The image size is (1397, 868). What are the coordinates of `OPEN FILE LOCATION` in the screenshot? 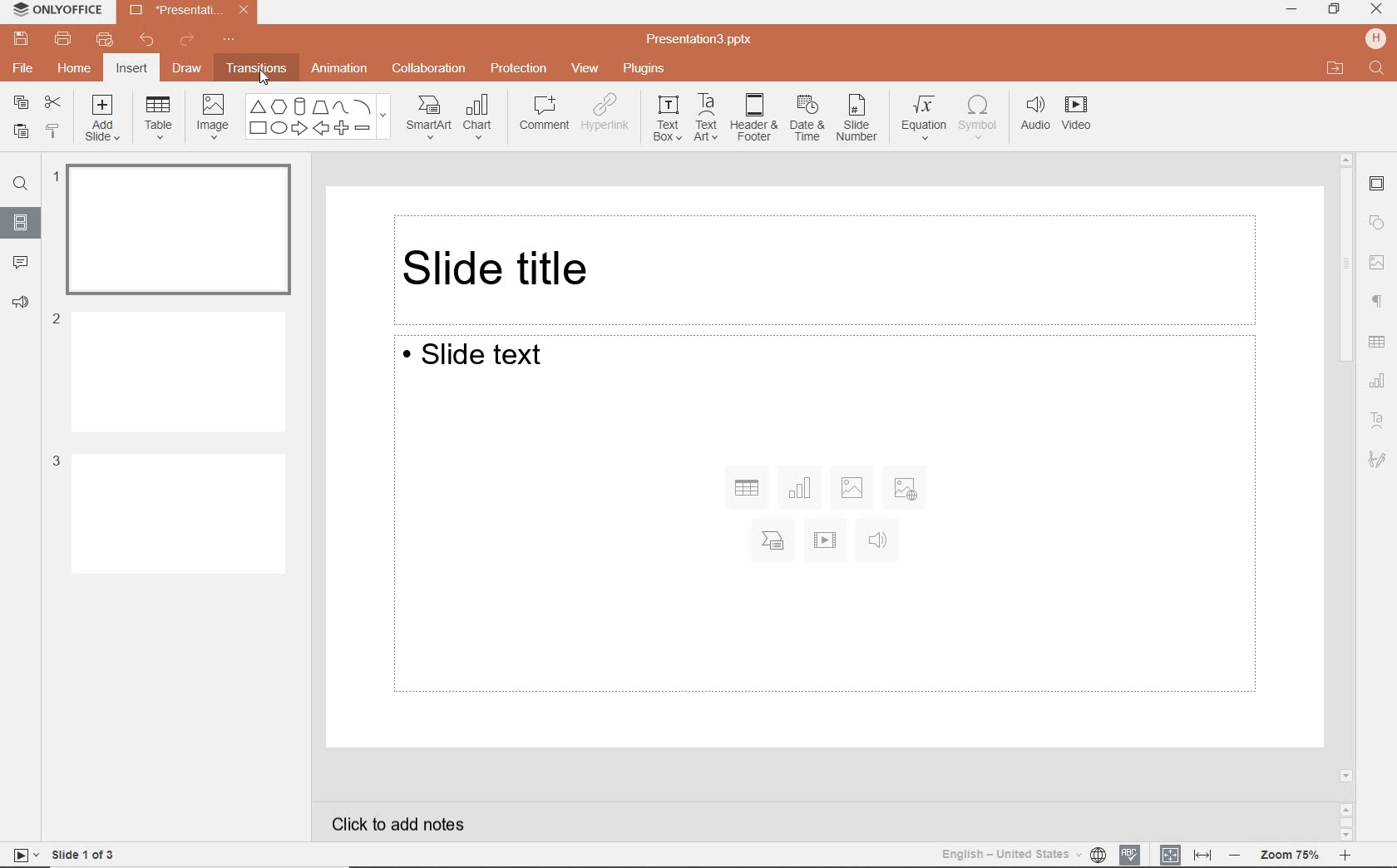 It's located at (1334, 68).